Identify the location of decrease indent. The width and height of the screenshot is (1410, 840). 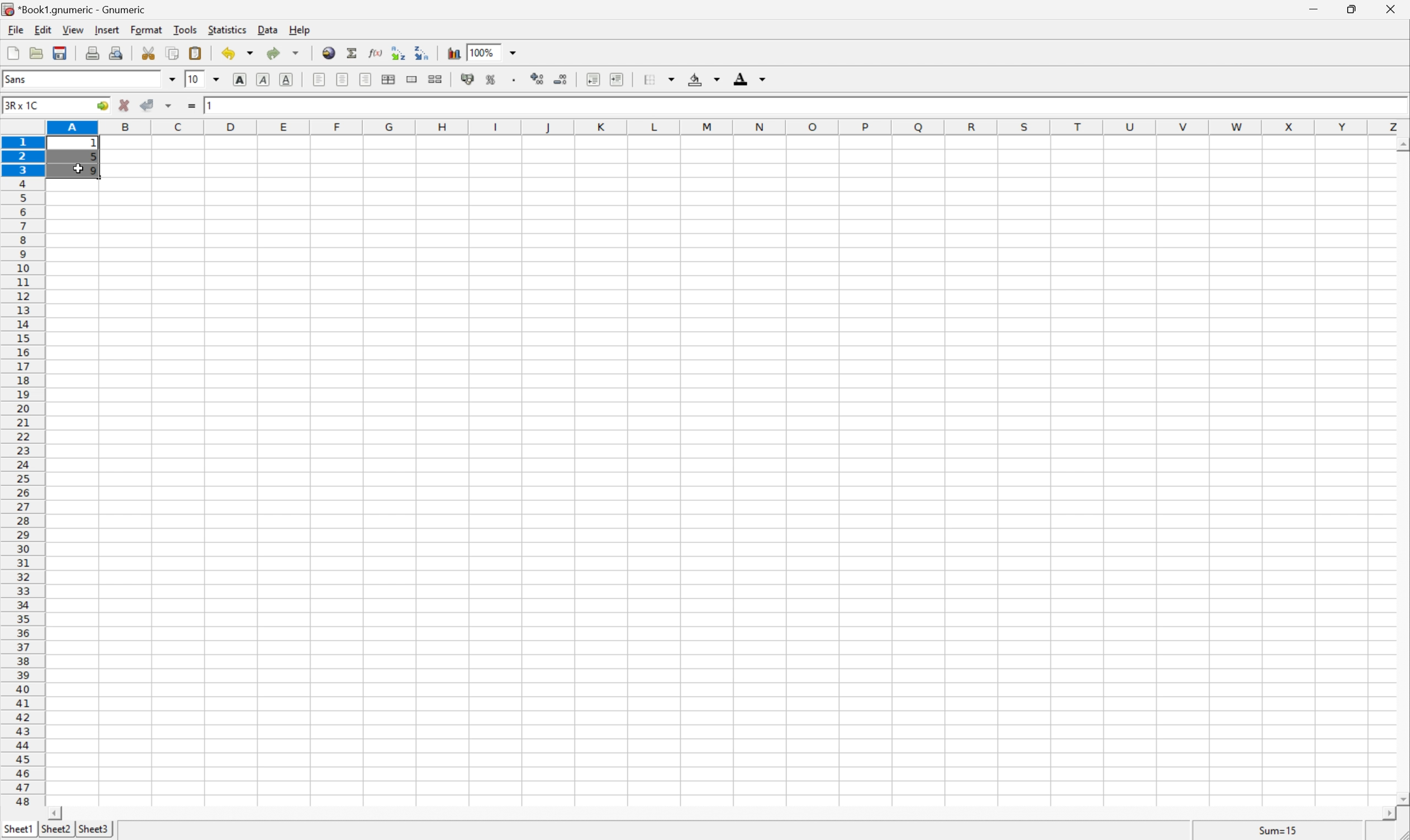
(594, 79).